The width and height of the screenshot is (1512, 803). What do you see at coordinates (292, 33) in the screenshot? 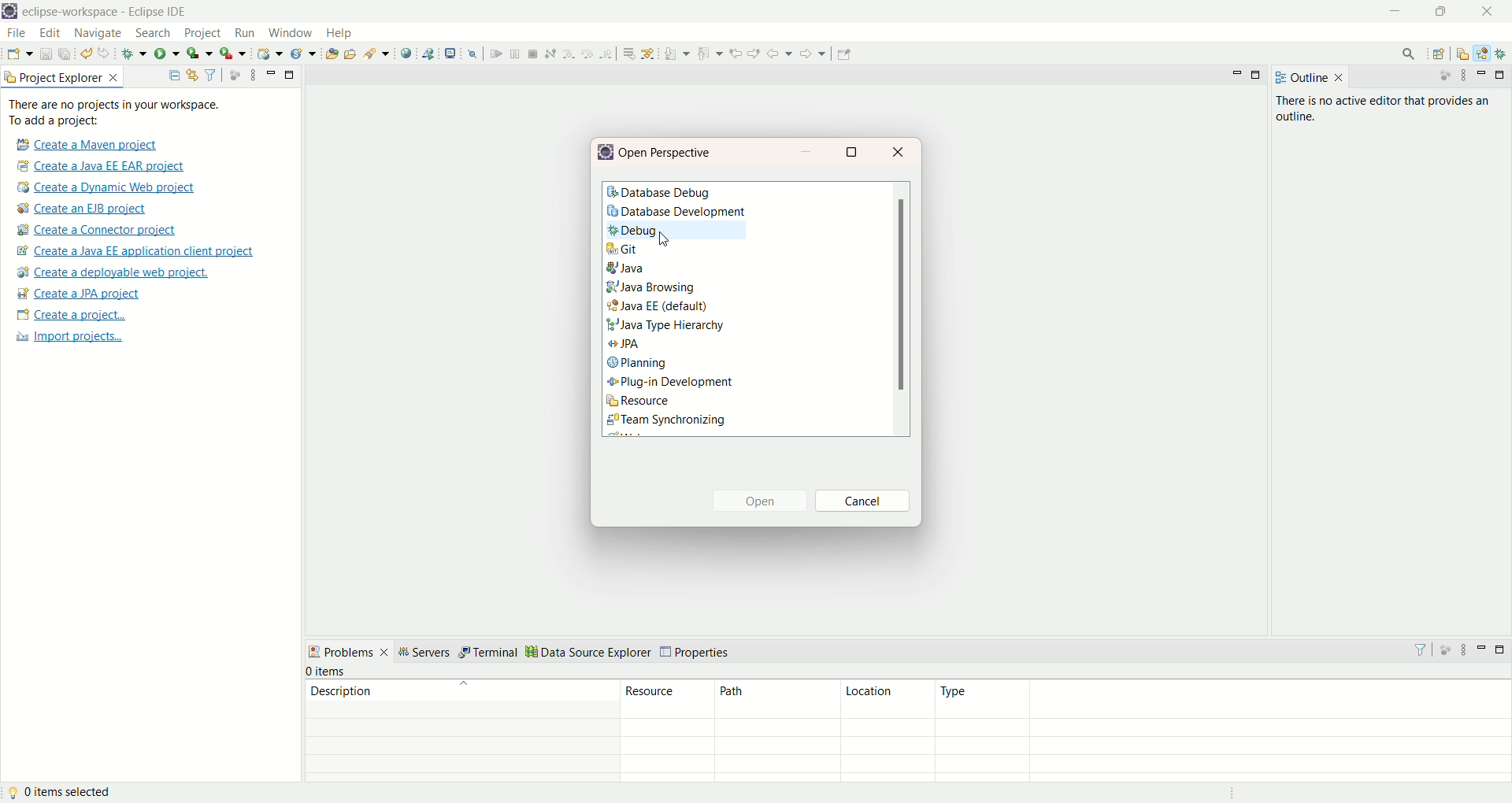
I see `window` at bounding box center [292, 33].